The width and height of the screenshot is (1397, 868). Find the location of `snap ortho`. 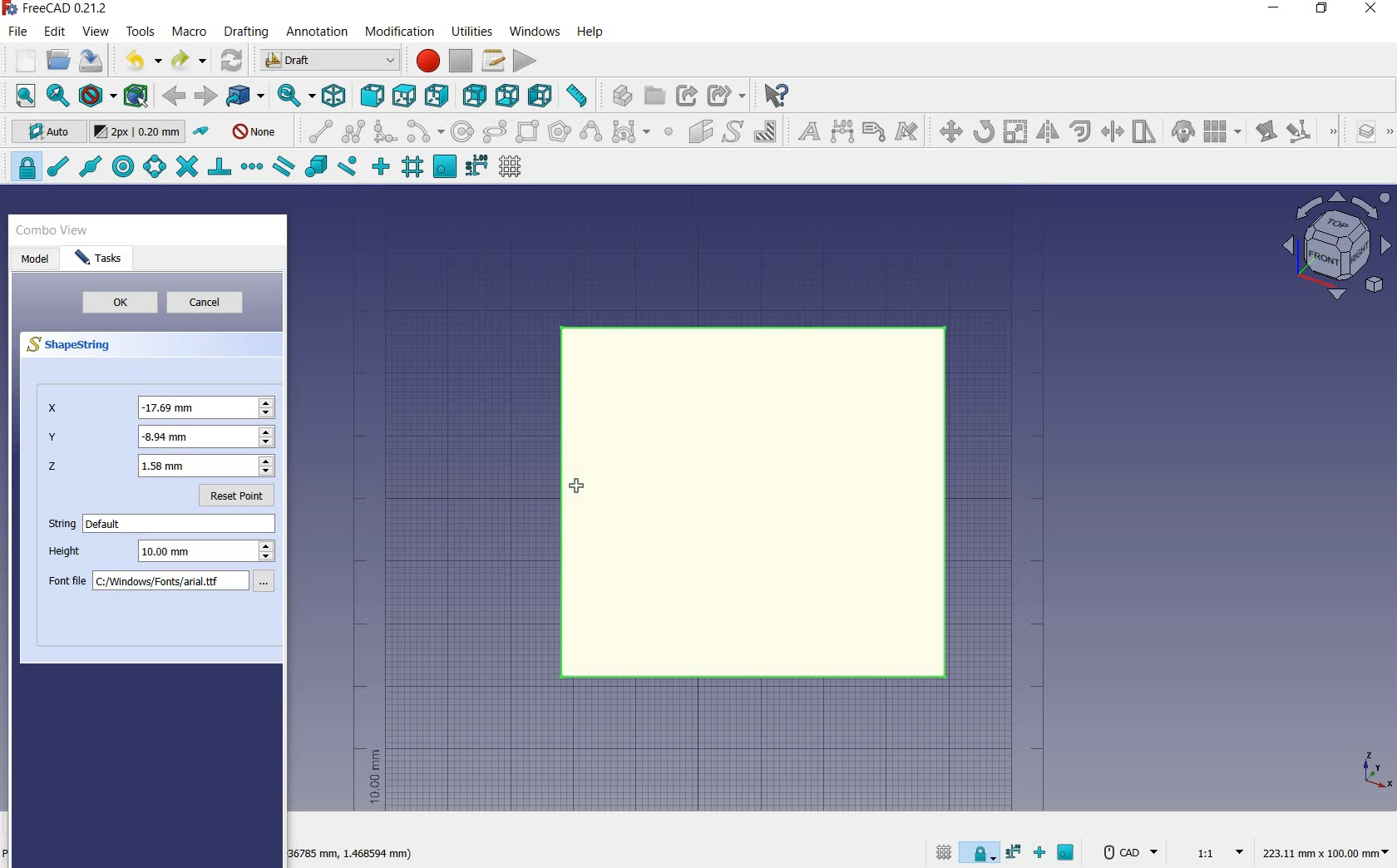

snap ortho is located at coordinates (1043, 854).